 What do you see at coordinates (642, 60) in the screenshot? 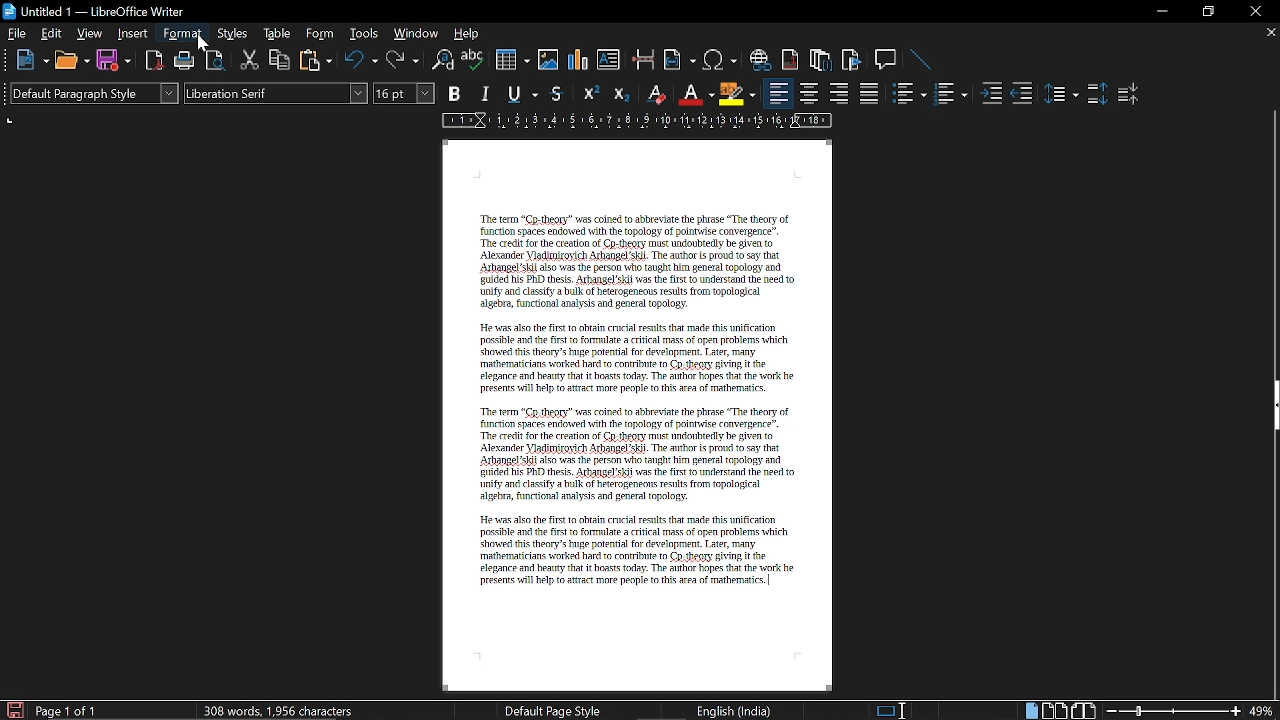
I see `Insert page break` at bounding box center [642, 60].